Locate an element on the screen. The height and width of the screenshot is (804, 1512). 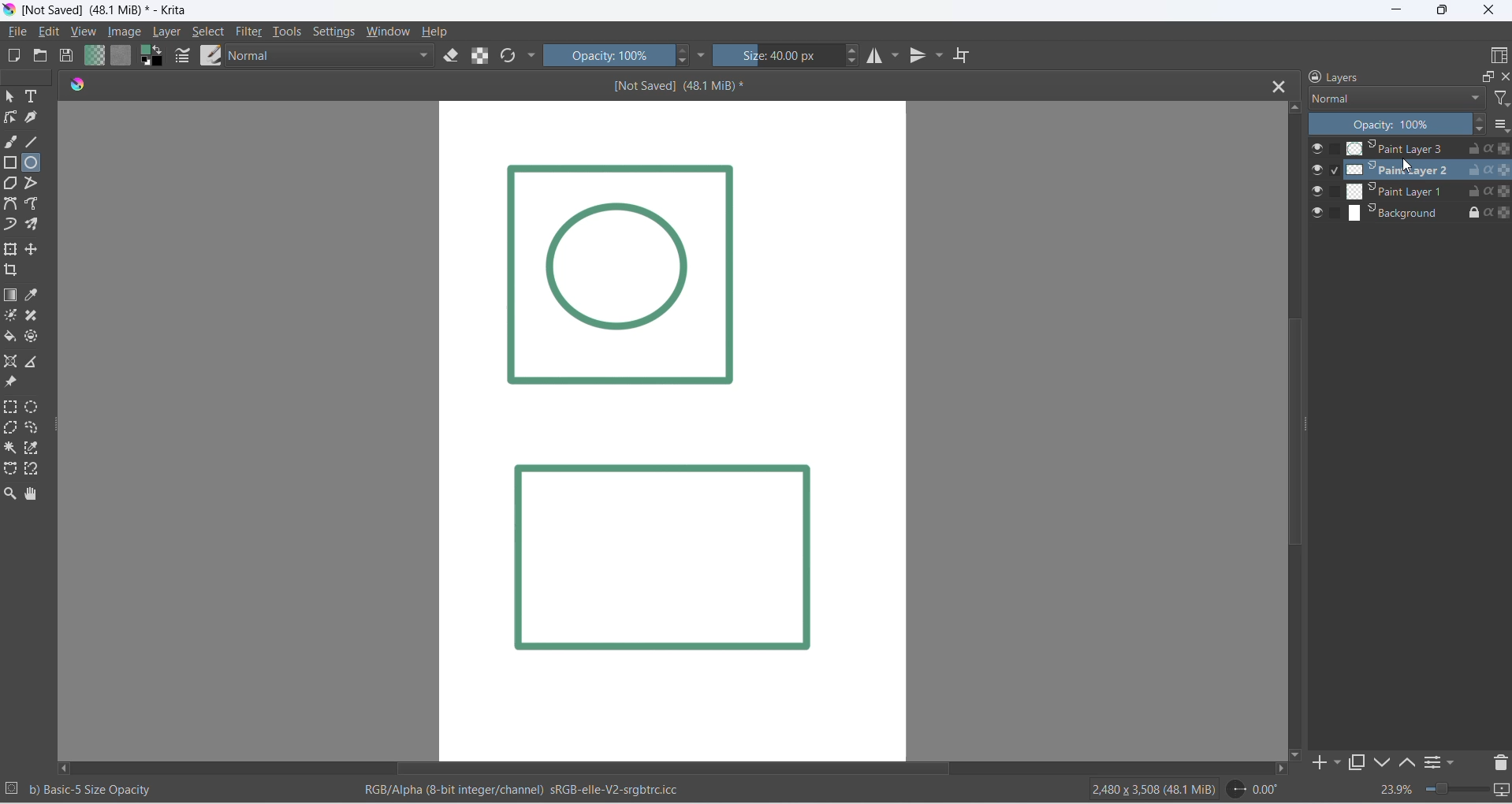
select is located at coordinates (212, 33).